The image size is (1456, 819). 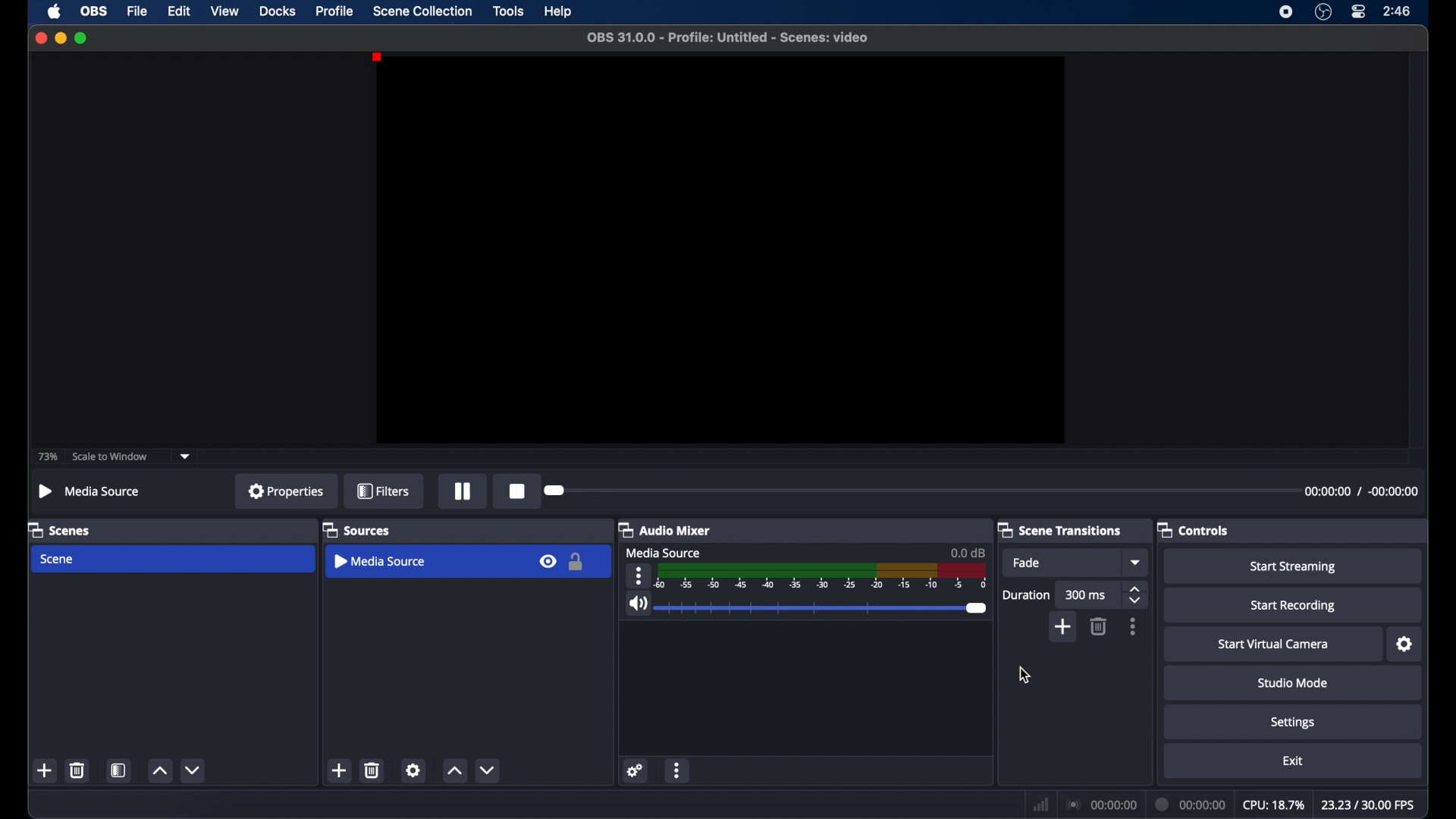 I want to click on scene collection, so click(x=422, y=11).